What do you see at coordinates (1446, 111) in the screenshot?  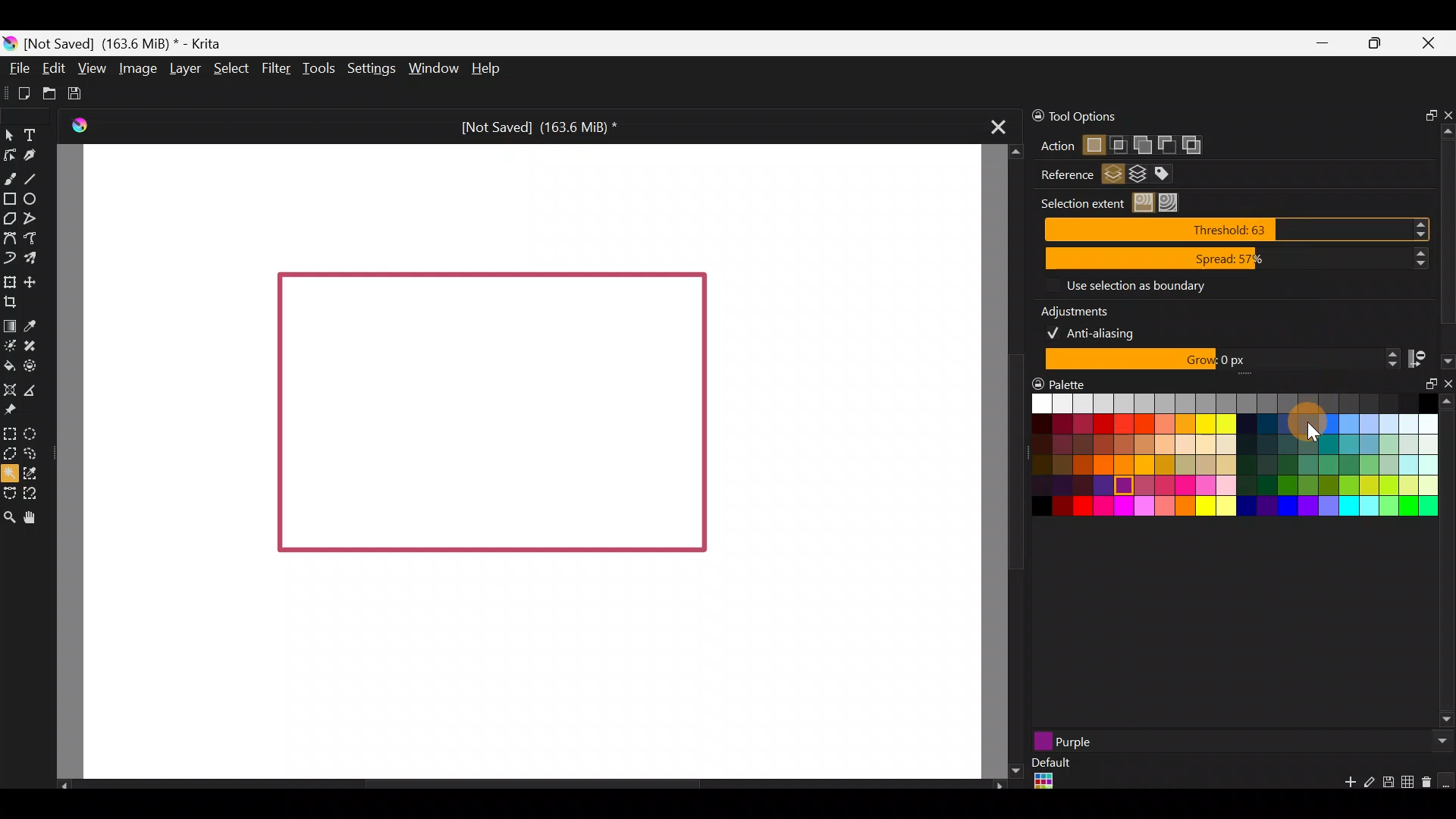 I see `Close docker` at bounding box center [1446, 111].